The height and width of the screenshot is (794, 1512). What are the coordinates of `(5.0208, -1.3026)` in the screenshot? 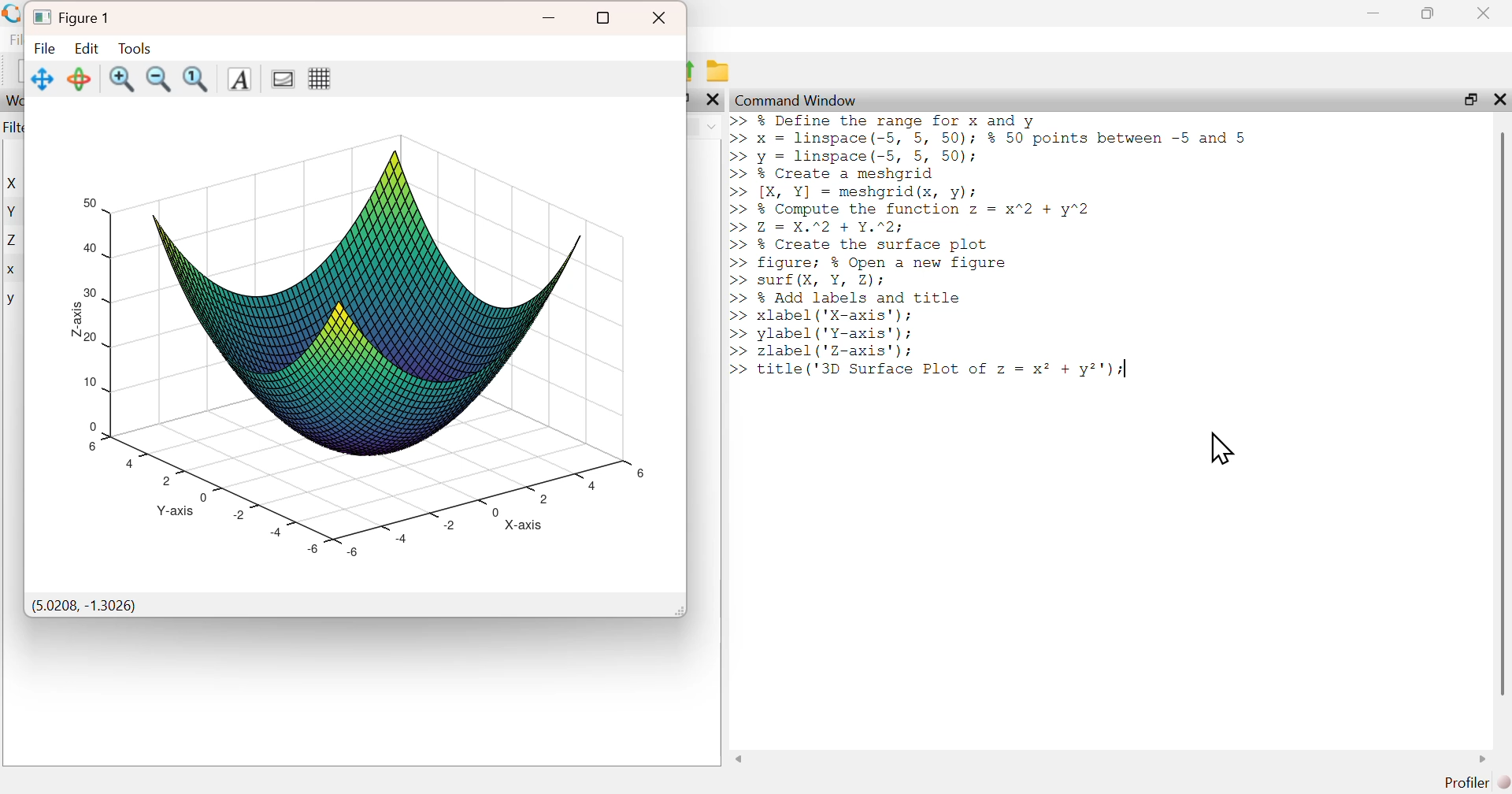 It's located at (84, 607).